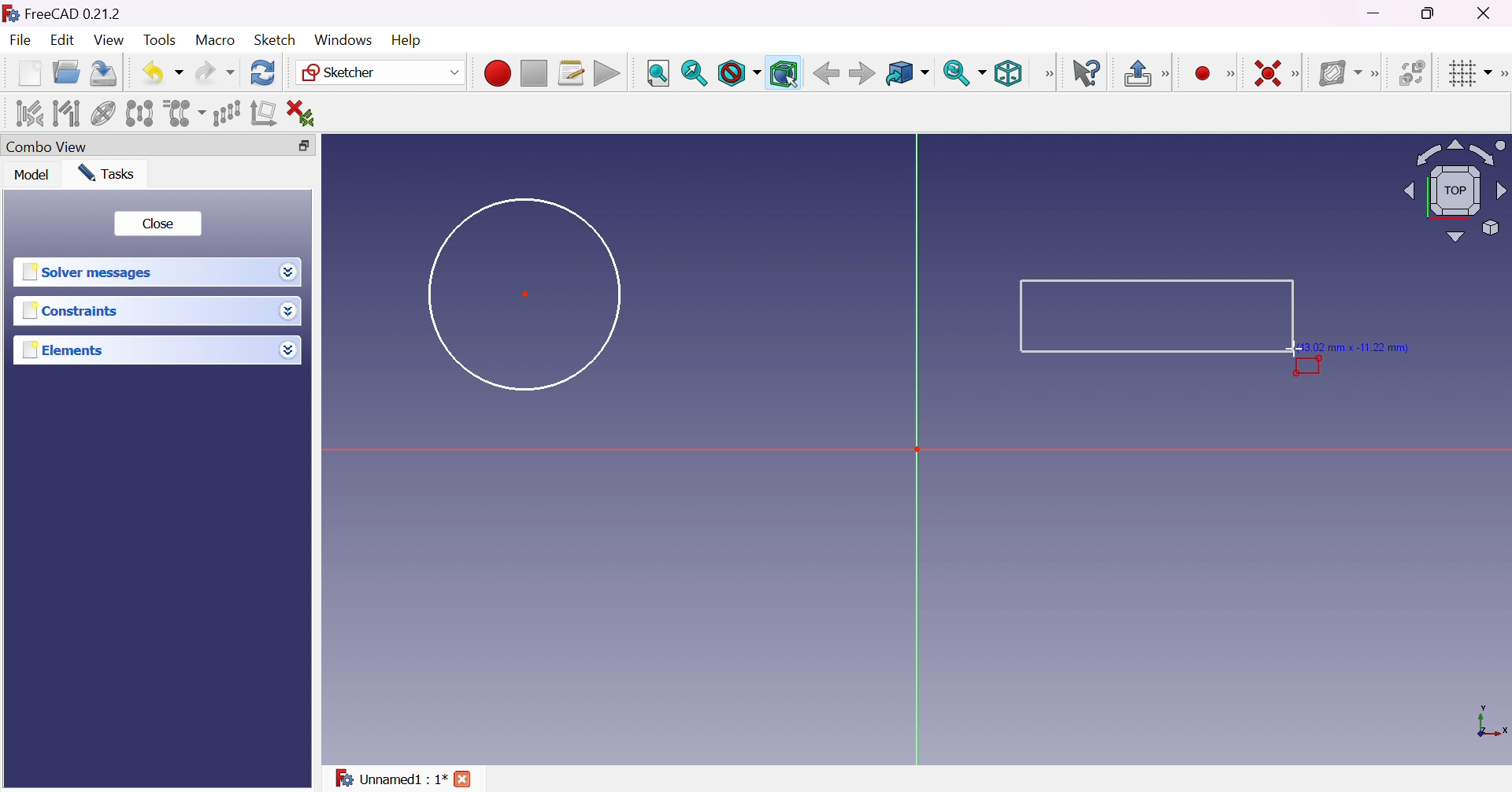 The width and height of the screenshot is (1512, 792). What do you see at coordinates (106, 172) in the screenshot?
I see `Tasks` at bounding box center [106, 172].